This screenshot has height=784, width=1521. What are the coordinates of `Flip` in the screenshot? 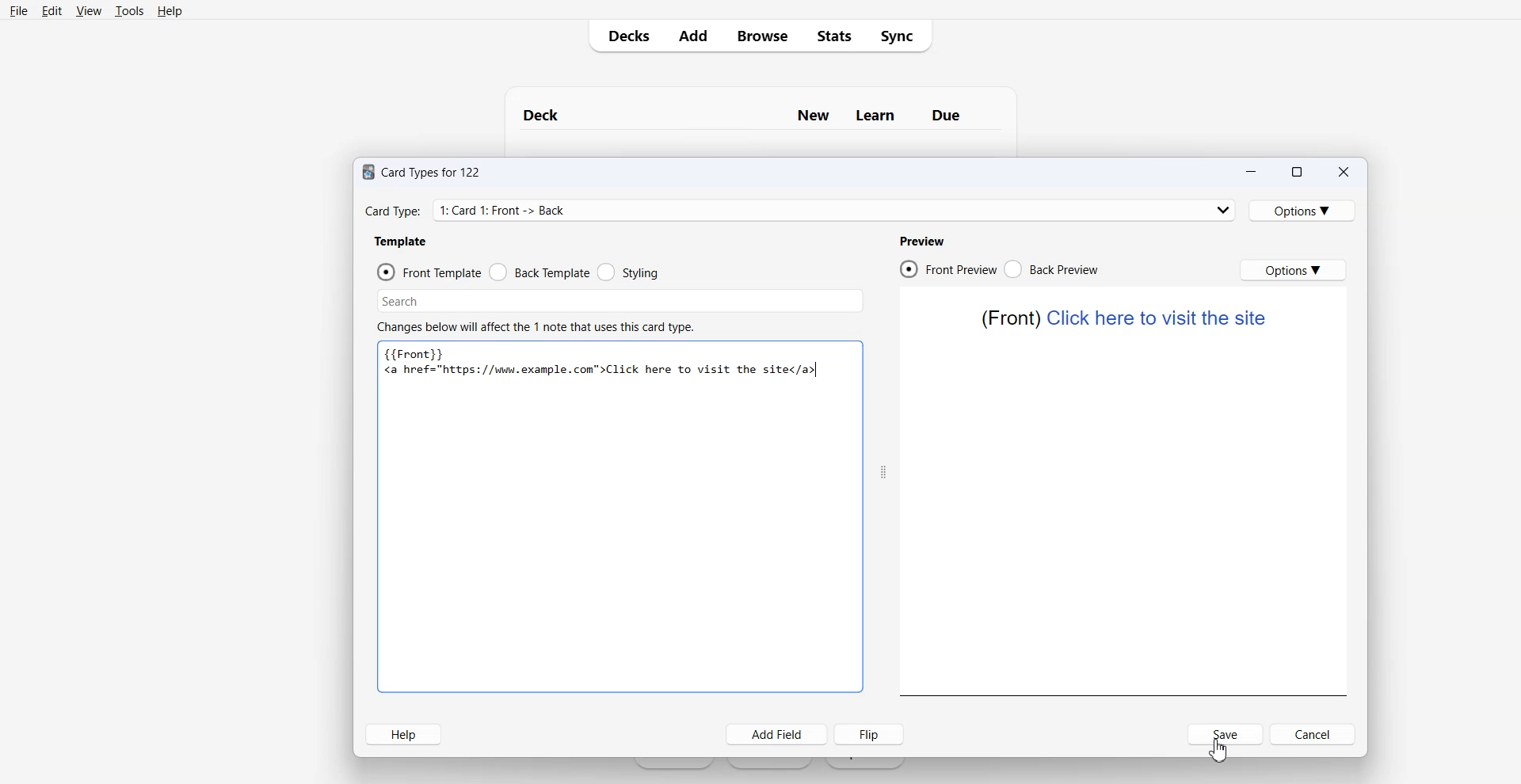 It's located at (869, 734).